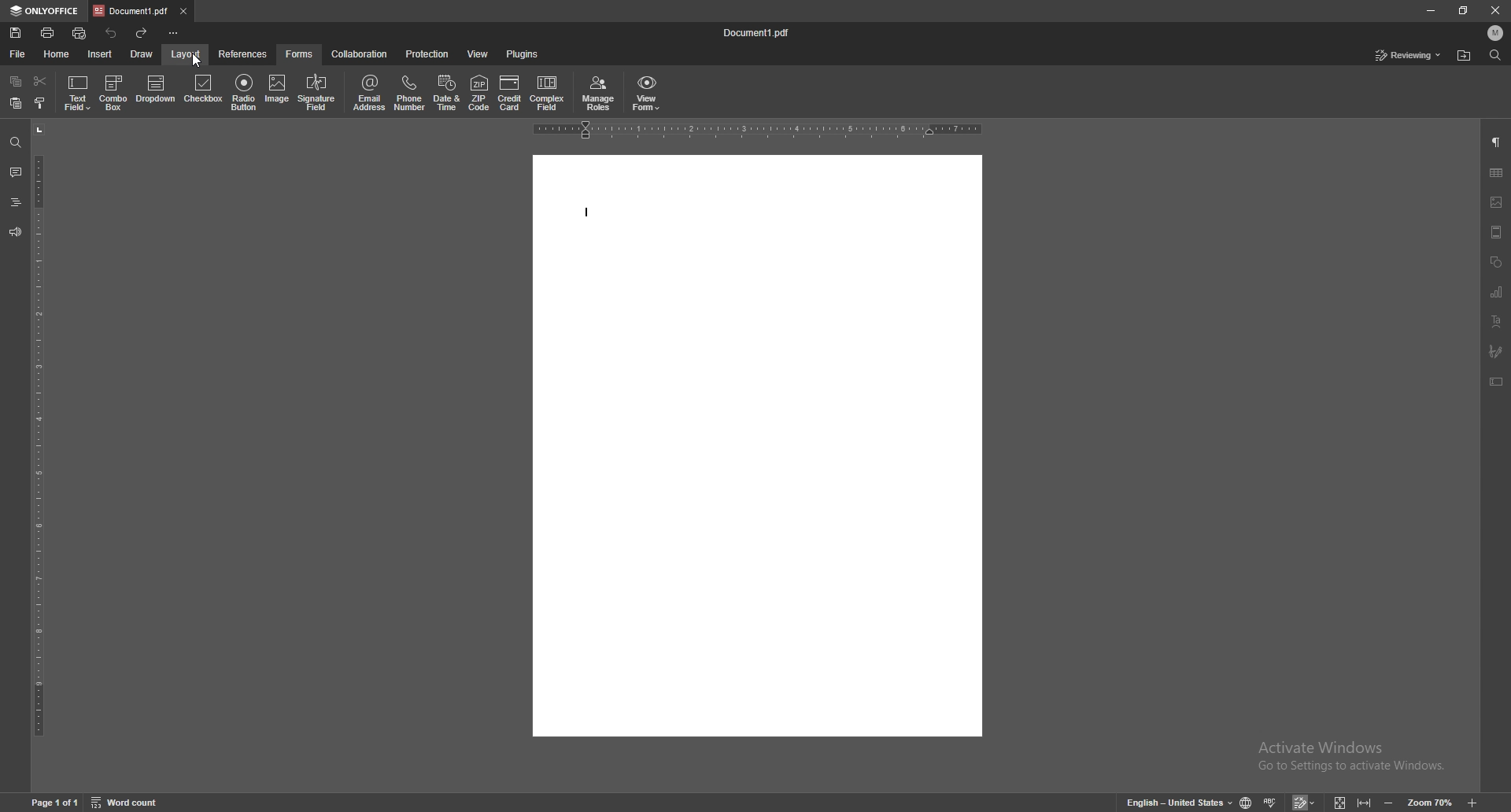 The image size is (1511, 812). Describe the element at coordinates (1495, 351) in the screenshot. I see `signature` at that location.